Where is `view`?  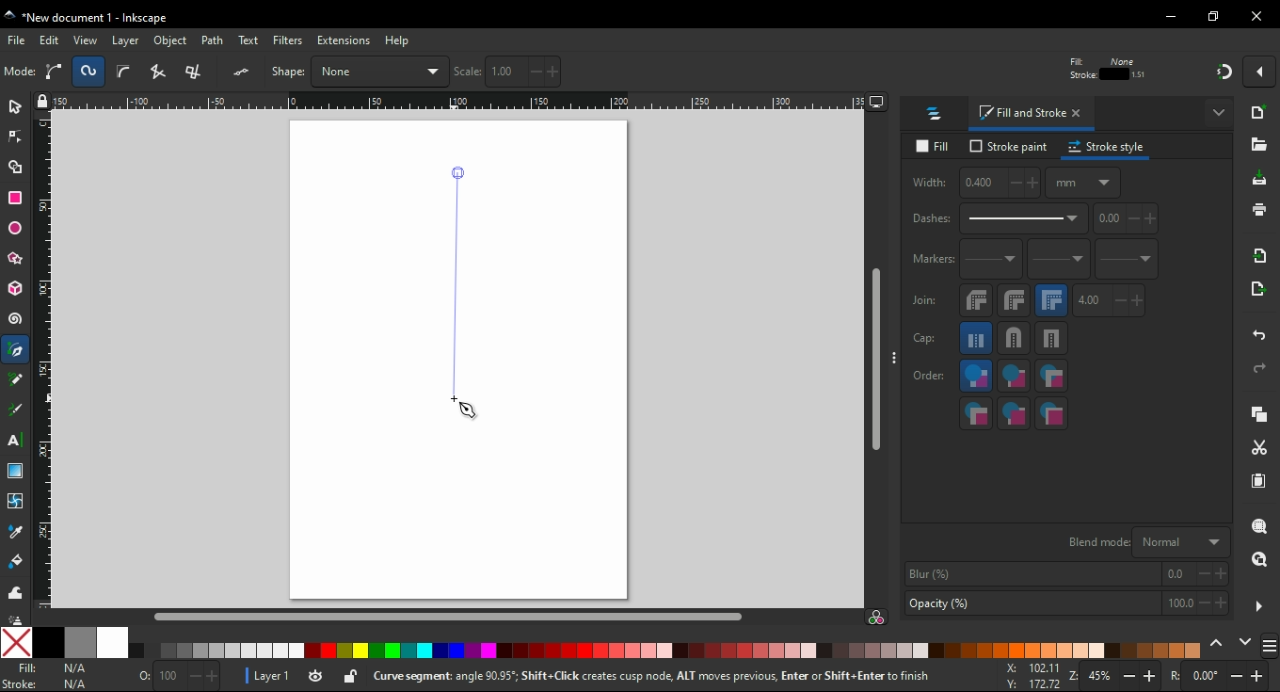 view is located at coordinates (86, 40).